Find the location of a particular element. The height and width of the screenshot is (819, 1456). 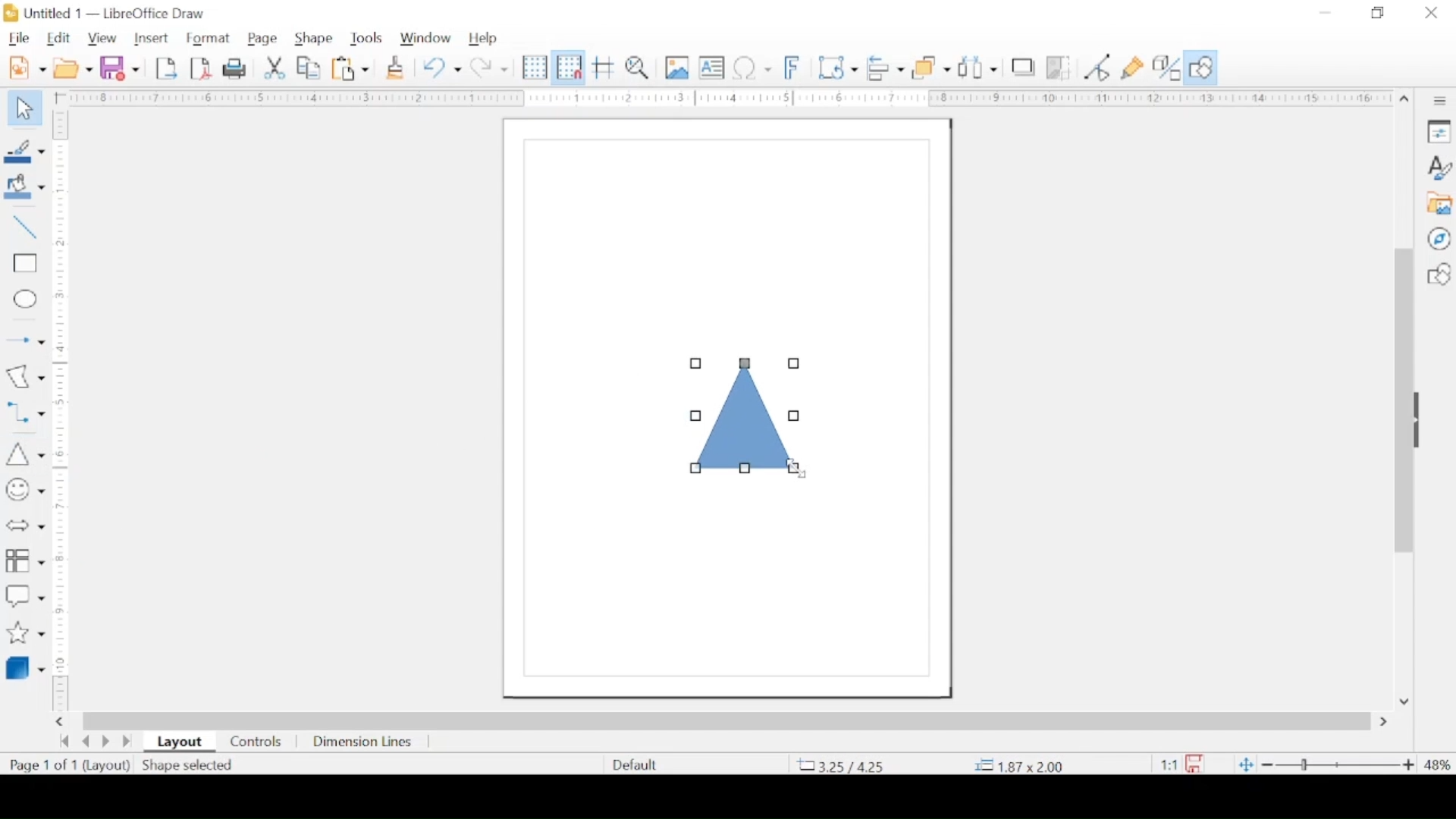

styles is located at coordinates (1440, 167).